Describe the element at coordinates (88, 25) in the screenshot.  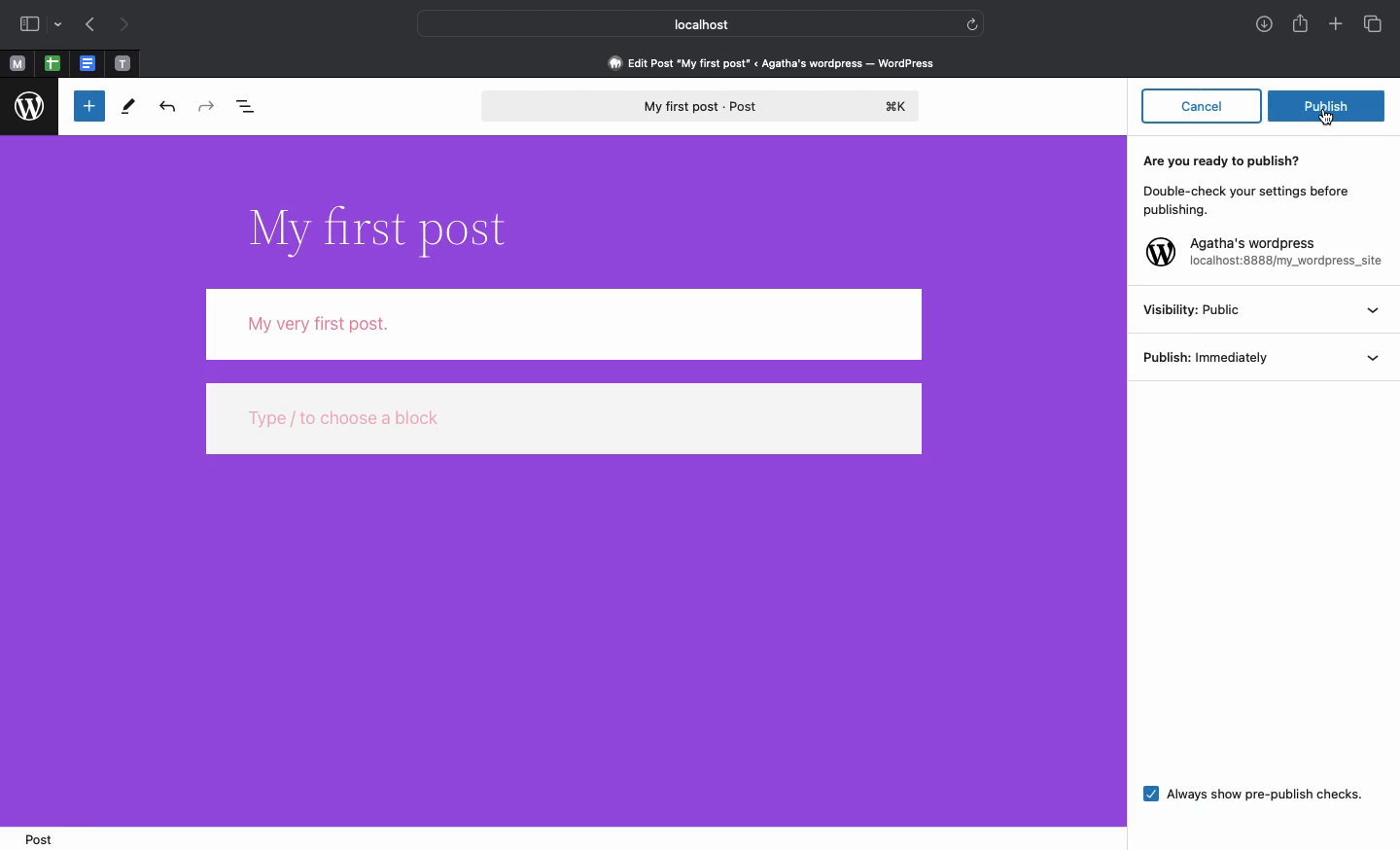
I see `Previous page` at that location.